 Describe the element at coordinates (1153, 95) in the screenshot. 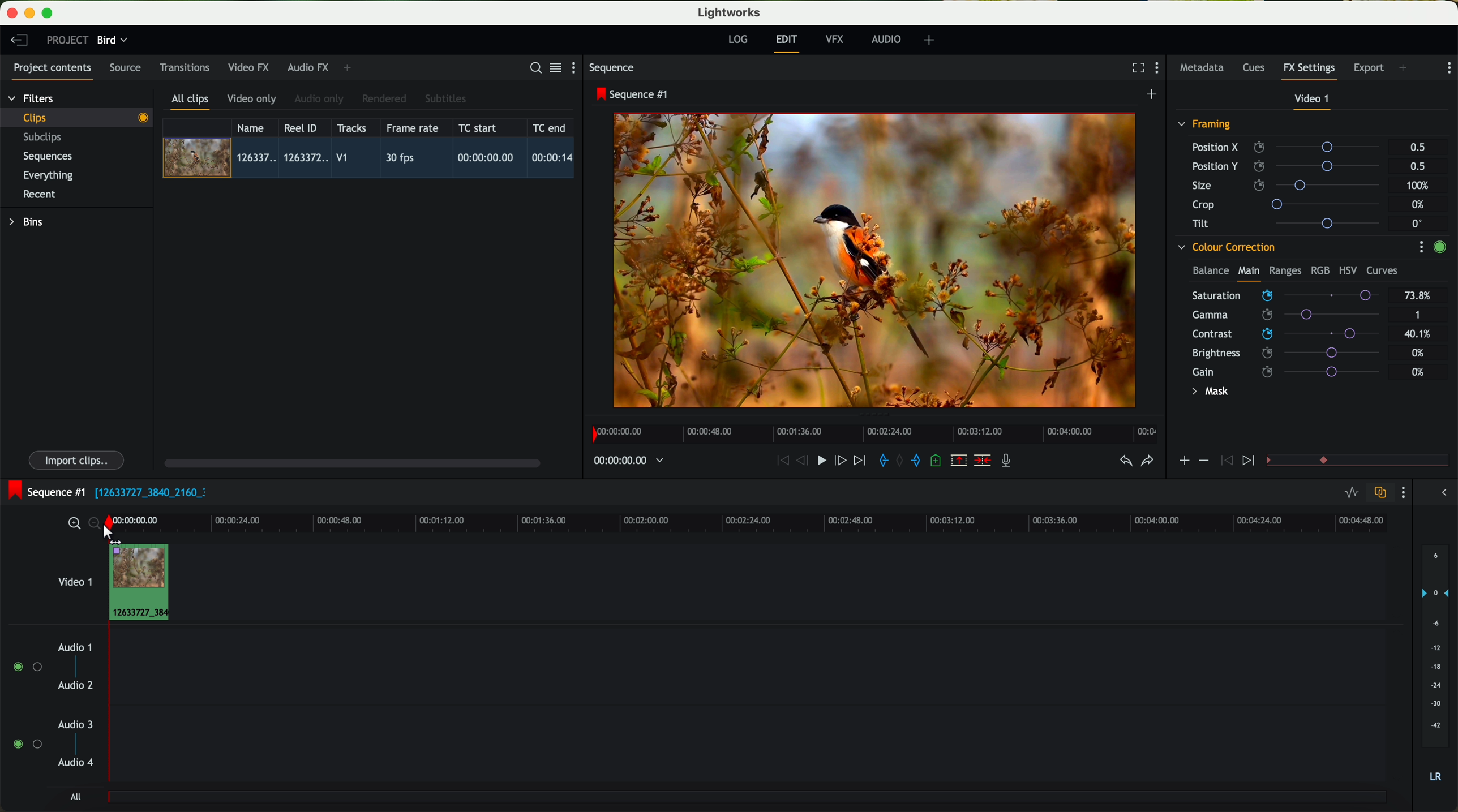

I see `create a new sequence` at that location.